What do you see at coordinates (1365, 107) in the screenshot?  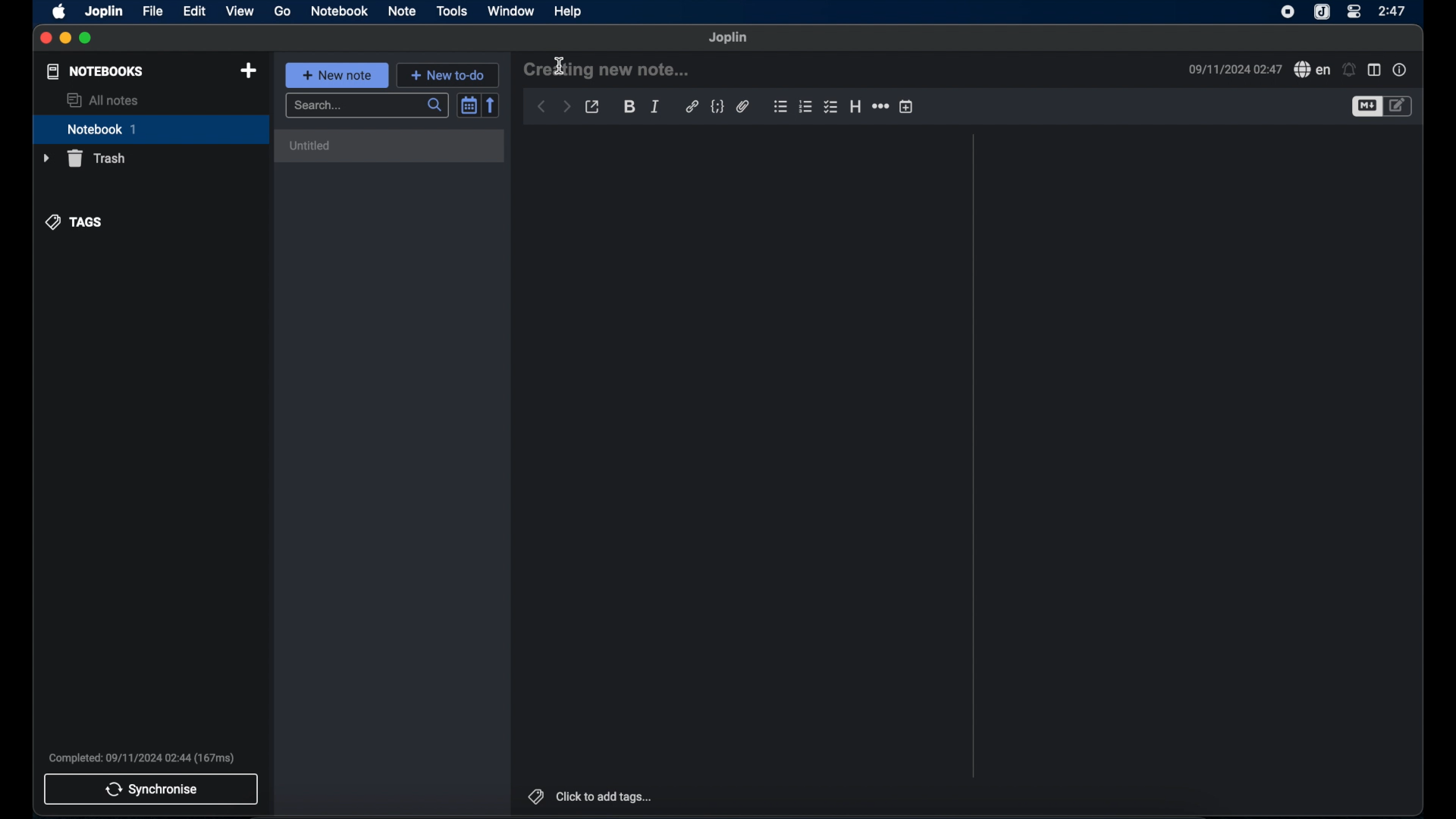 I see `toggle editor` at bounding box center [1365, 107].